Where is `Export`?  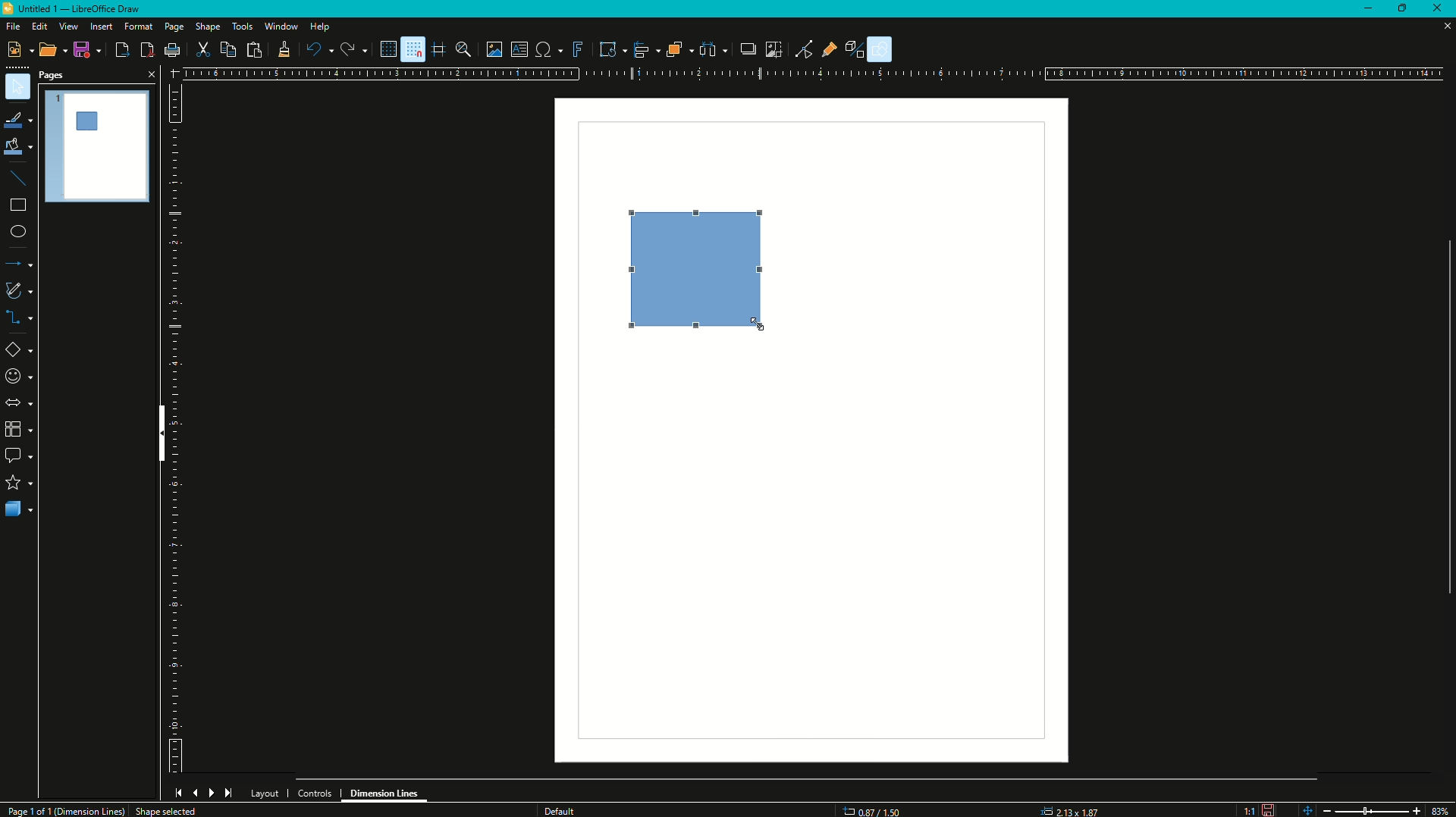 Export is located at coordinates (121, 50).